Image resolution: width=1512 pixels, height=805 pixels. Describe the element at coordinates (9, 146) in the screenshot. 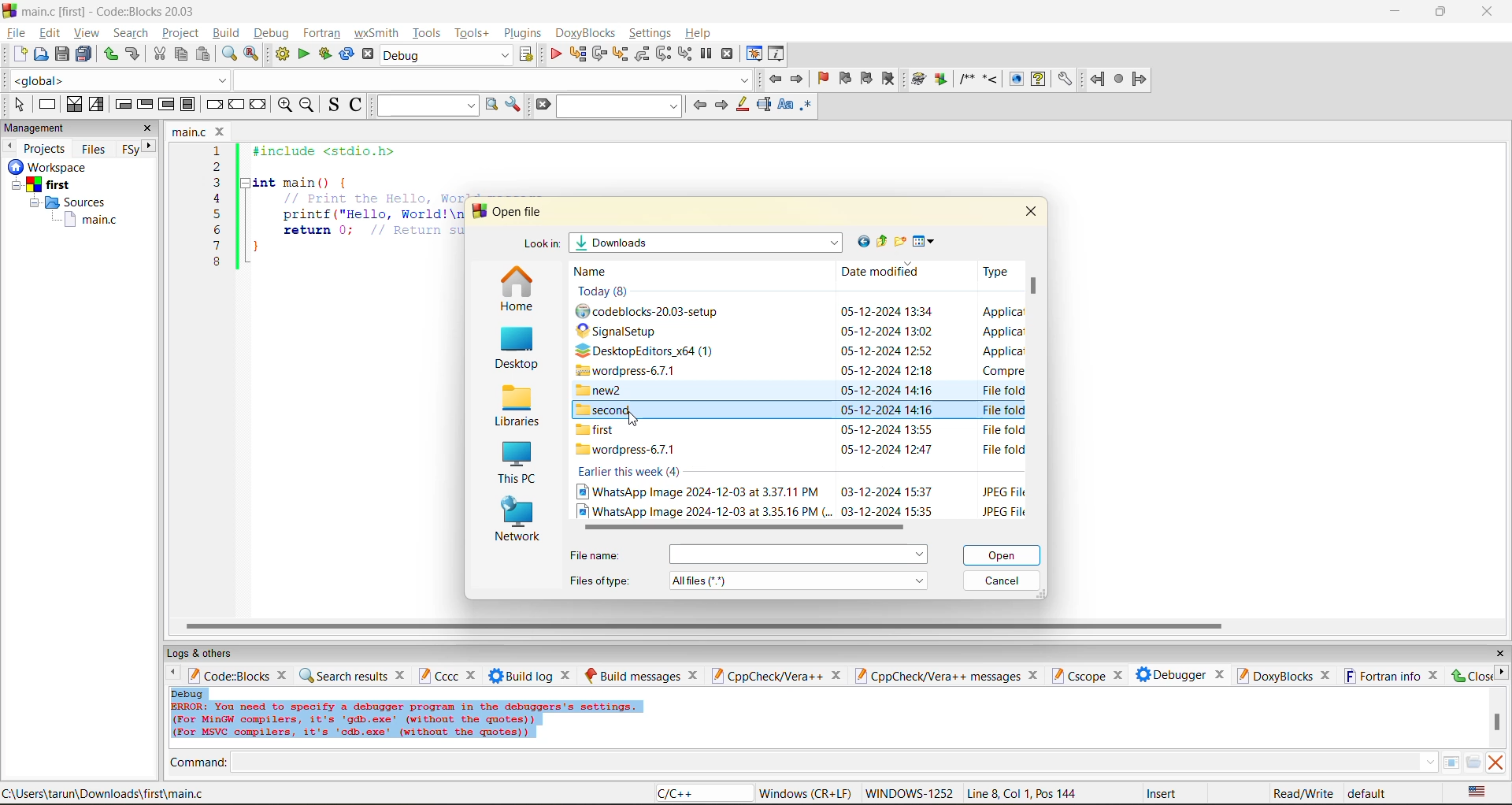

I see `previous` at that location.